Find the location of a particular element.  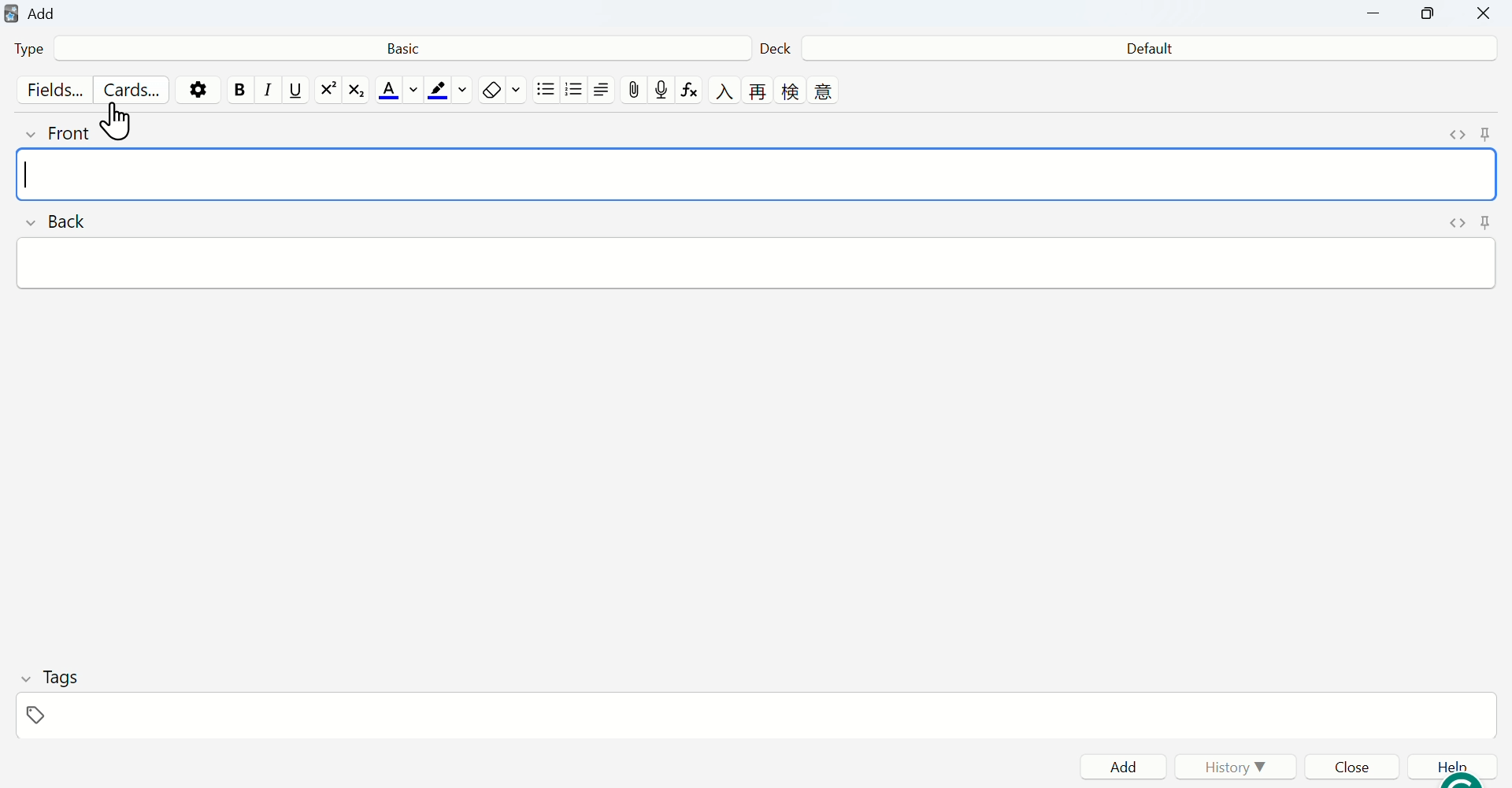

language is located at coordinates (723, 90).